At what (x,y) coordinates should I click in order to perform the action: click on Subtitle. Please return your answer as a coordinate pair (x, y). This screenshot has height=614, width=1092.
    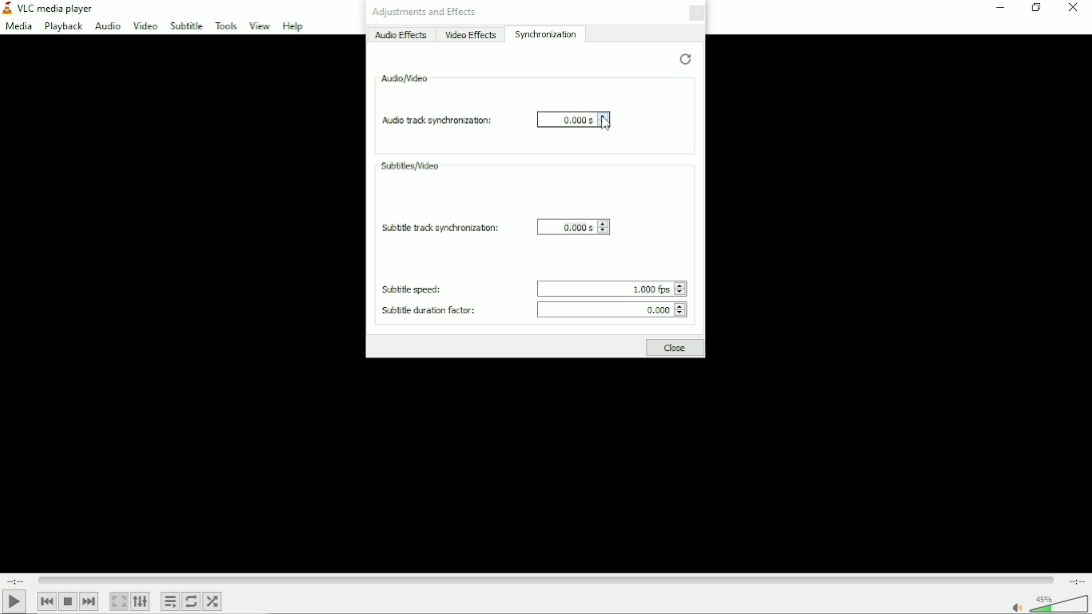
    Looking at the image, I should click on (186, 25).